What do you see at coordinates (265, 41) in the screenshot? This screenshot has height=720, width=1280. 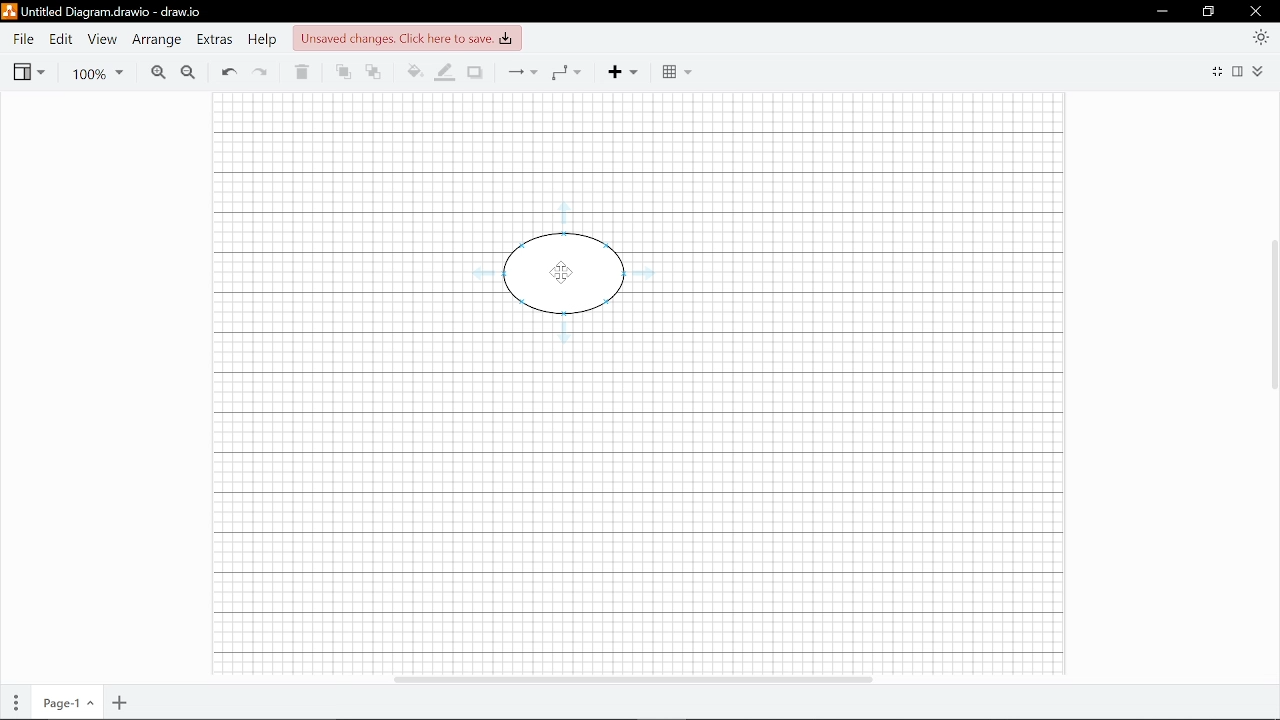 I see `Help` at bounding box center [265, 41].